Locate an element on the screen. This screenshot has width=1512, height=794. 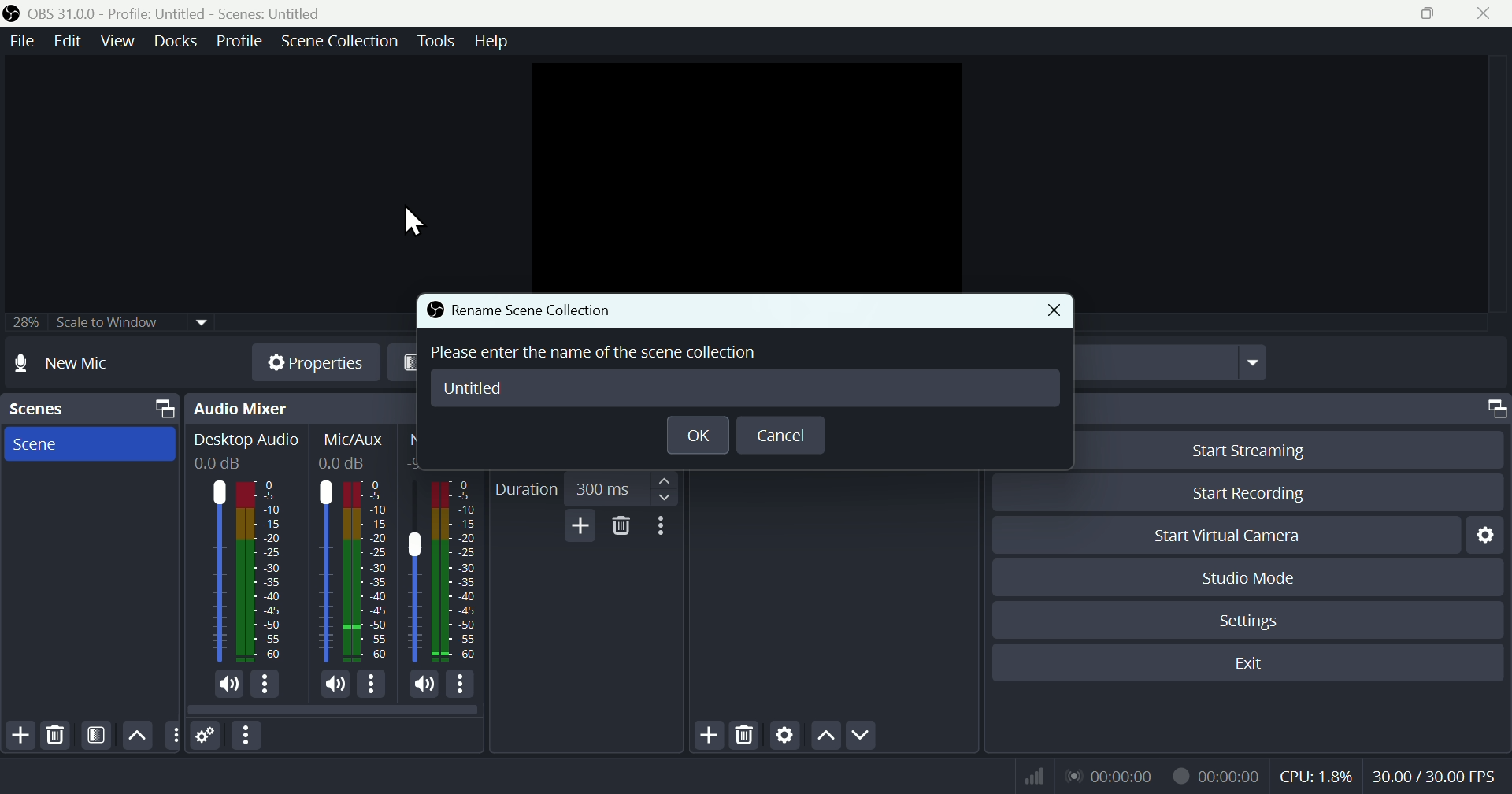
More options is located at coordinates (246, 735).